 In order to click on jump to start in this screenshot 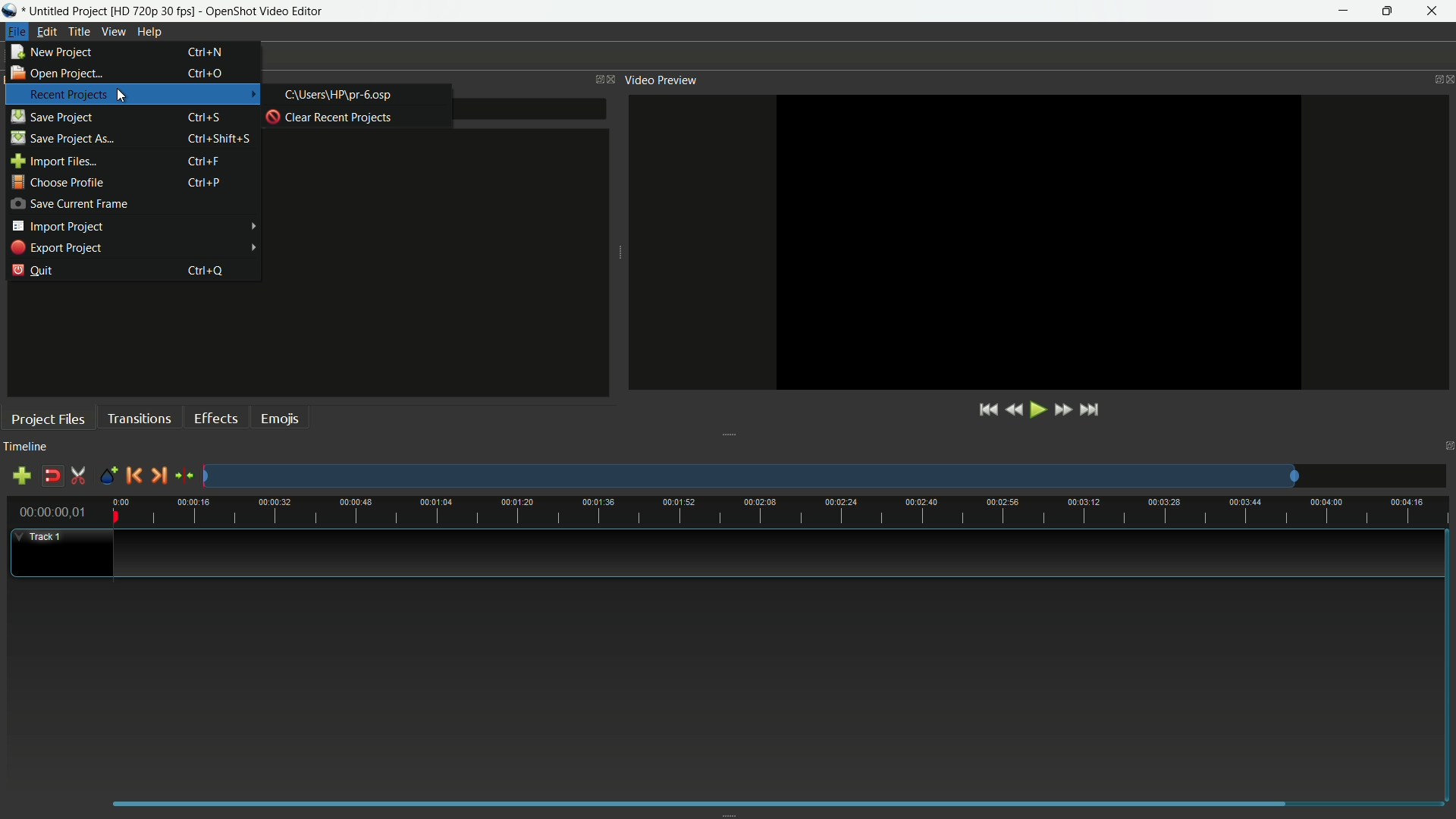, I will do `click(987, 411)`.